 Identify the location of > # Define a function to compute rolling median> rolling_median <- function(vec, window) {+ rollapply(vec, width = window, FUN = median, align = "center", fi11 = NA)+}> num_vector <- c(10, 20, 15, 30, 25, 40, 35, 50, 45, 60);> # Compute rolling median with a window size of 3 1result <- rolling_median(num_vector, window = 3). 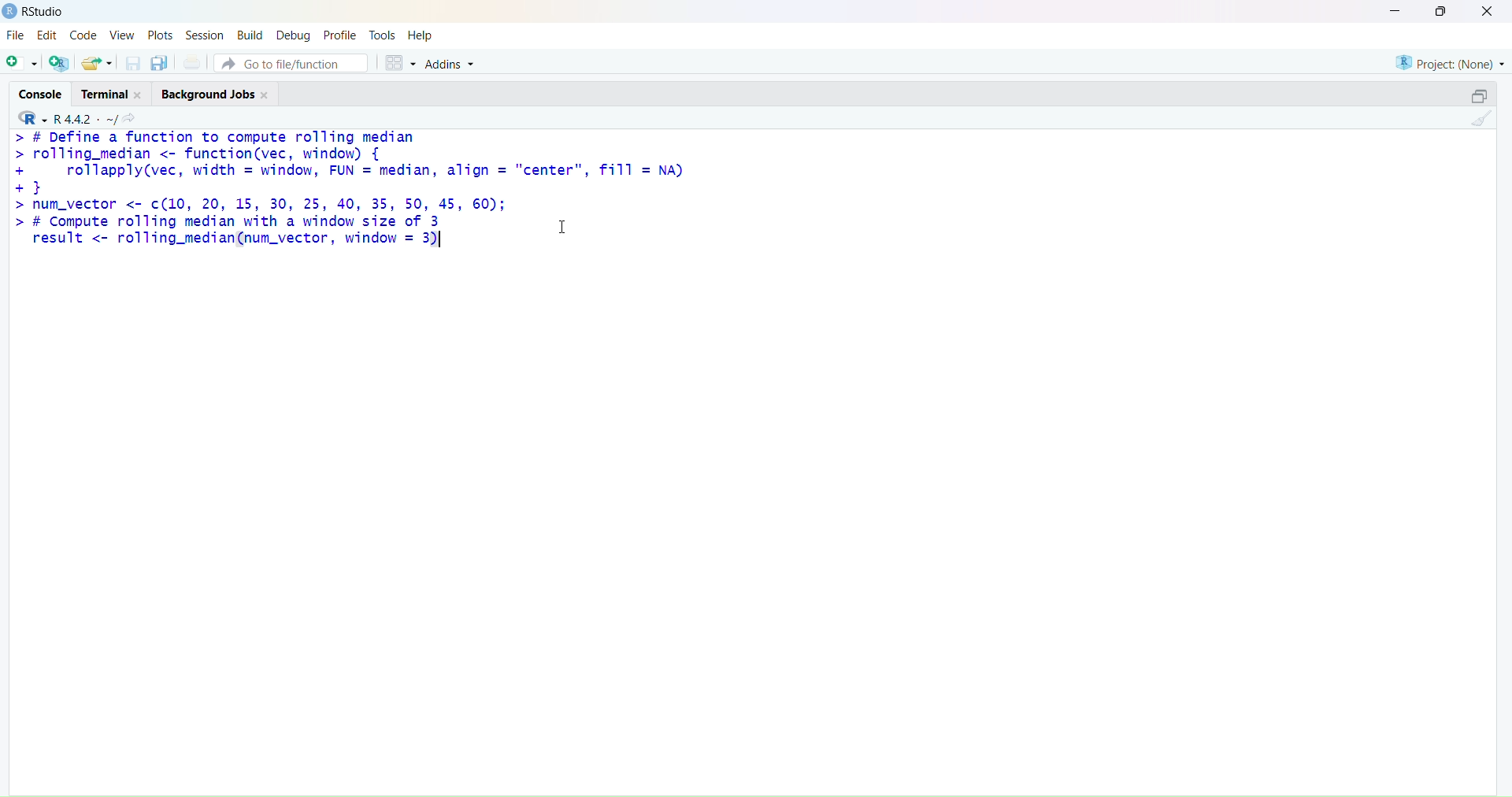
(349, 191).